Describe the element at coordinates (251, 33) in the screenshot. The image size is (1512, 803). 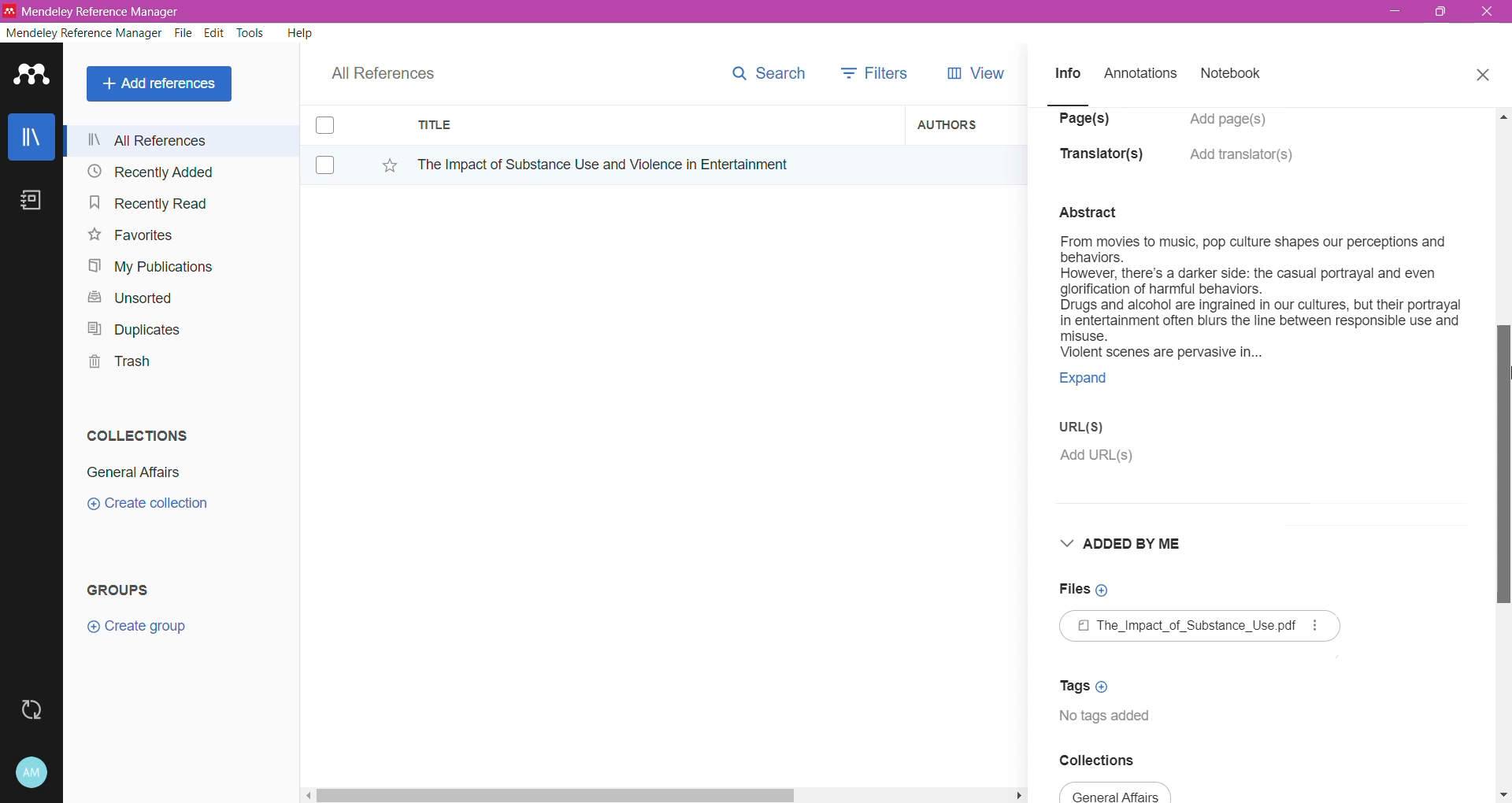
I see `Tools` at that location.